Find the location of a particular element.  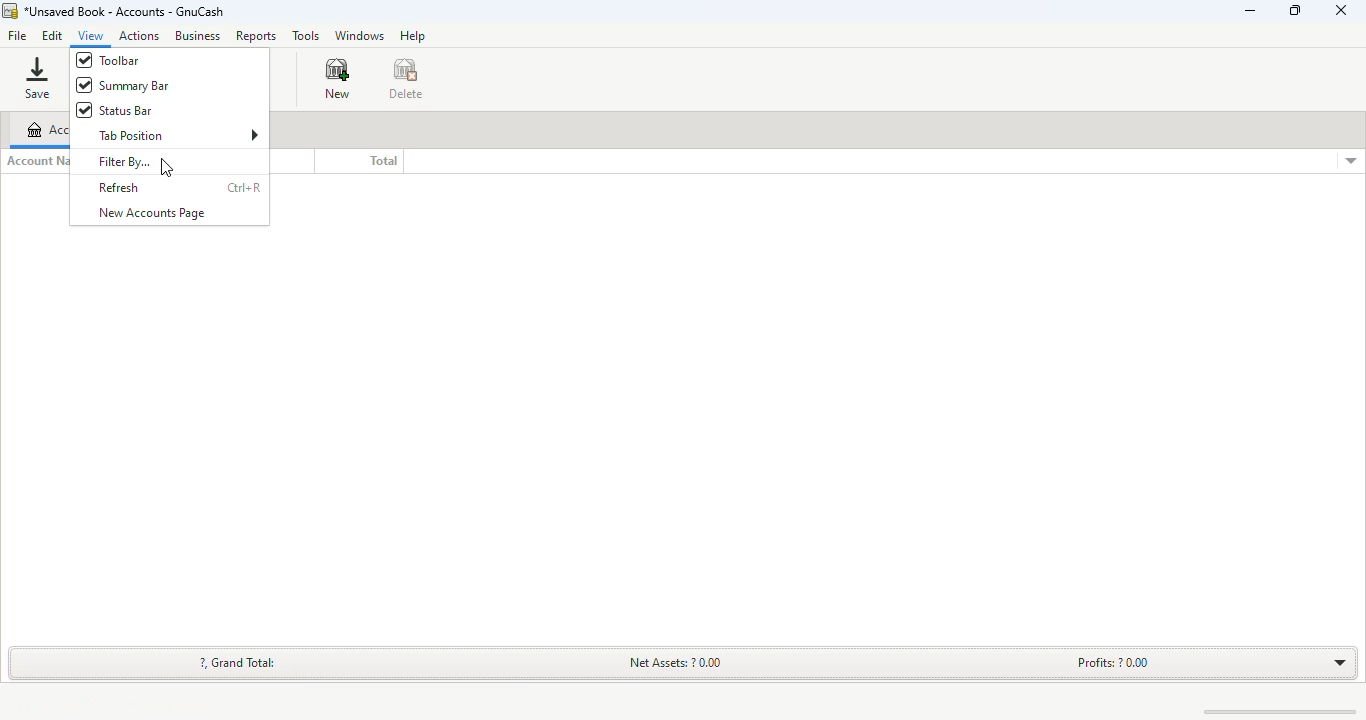

delete is located at coordinates (406, 79).